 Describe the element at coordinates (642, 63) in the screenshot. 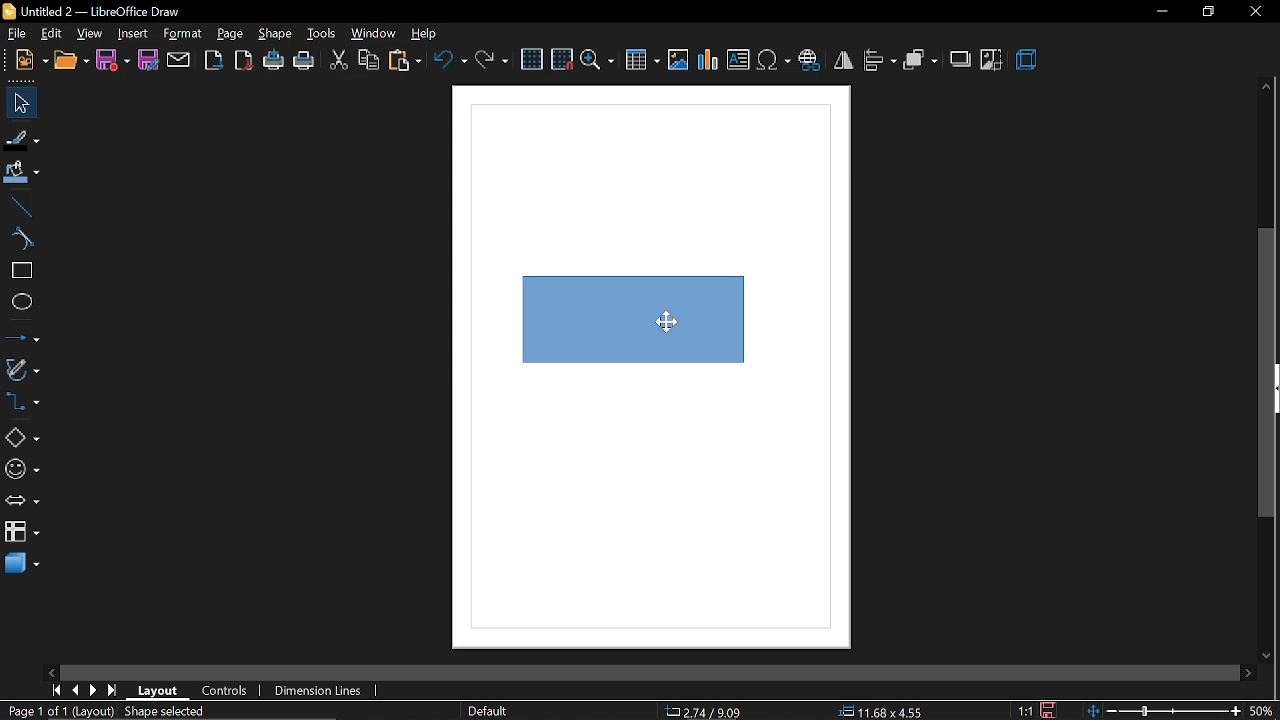

I see `Insert table` at that location.